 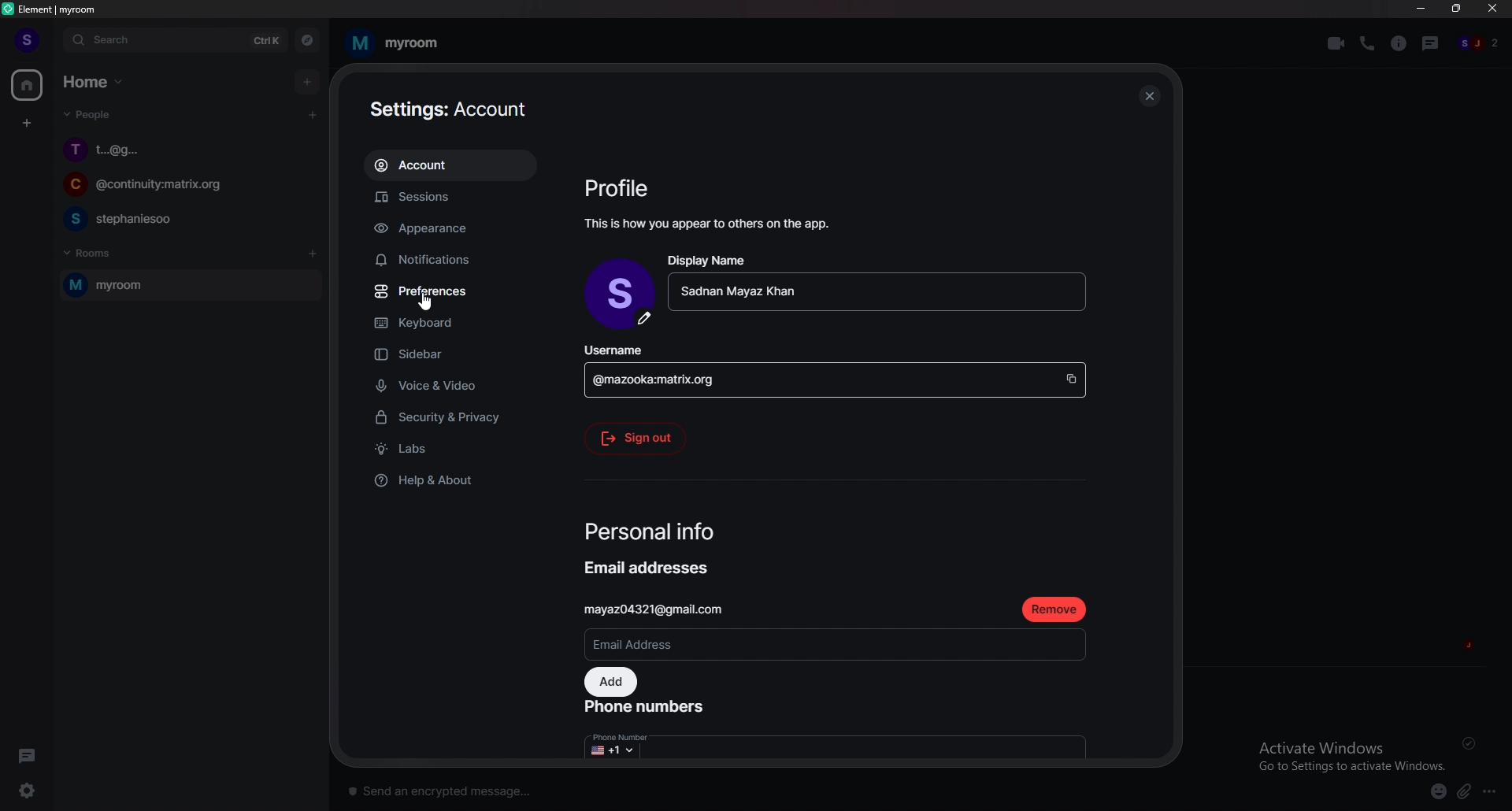 What do you see at coordinates (1467, 792) in the screenshot?
I see `attachments` at bounding box center [1467, 792].